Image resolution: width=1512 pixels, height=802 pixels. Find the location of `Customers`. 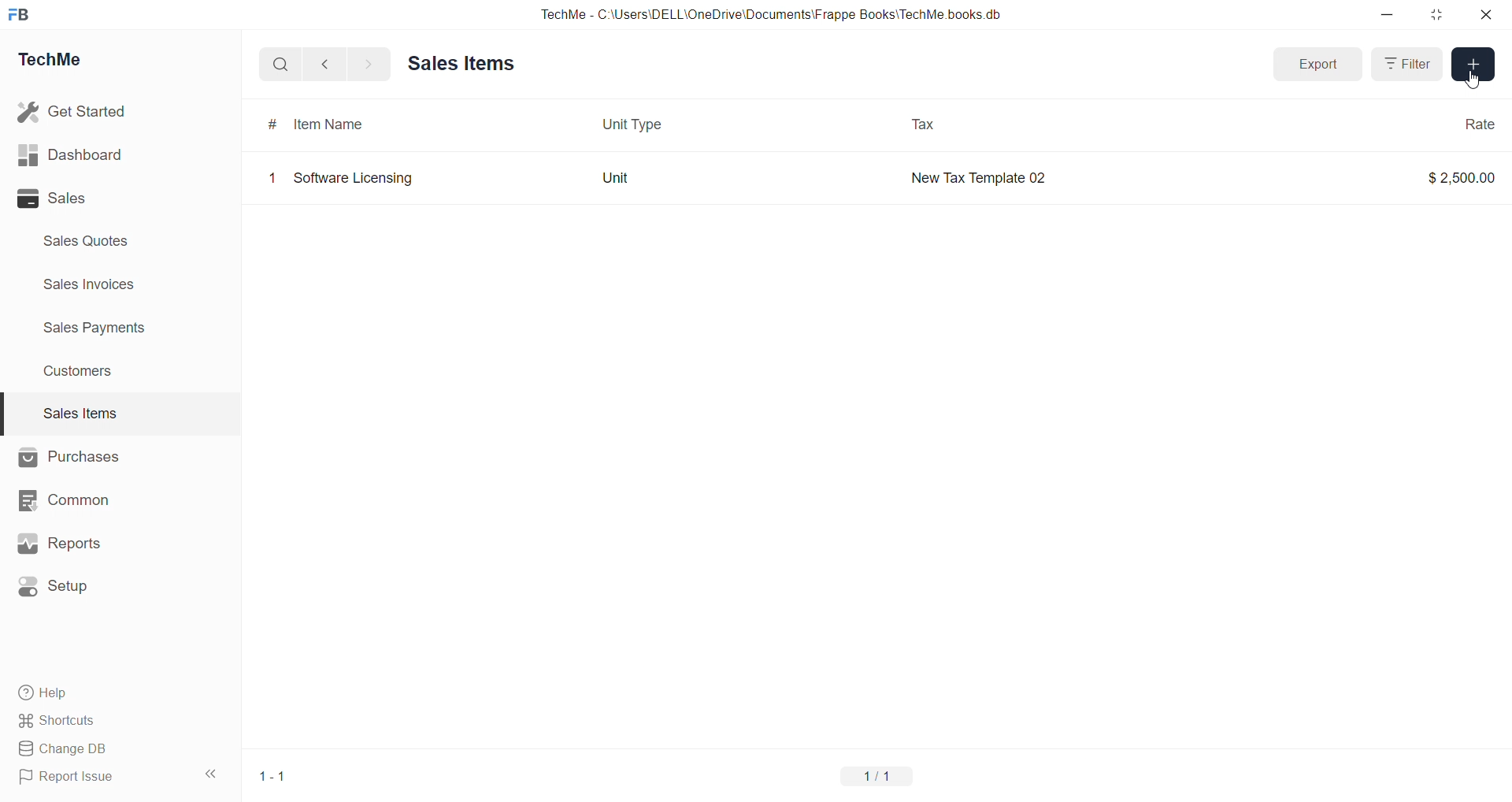

Customers is located at coordinates (80, 373).